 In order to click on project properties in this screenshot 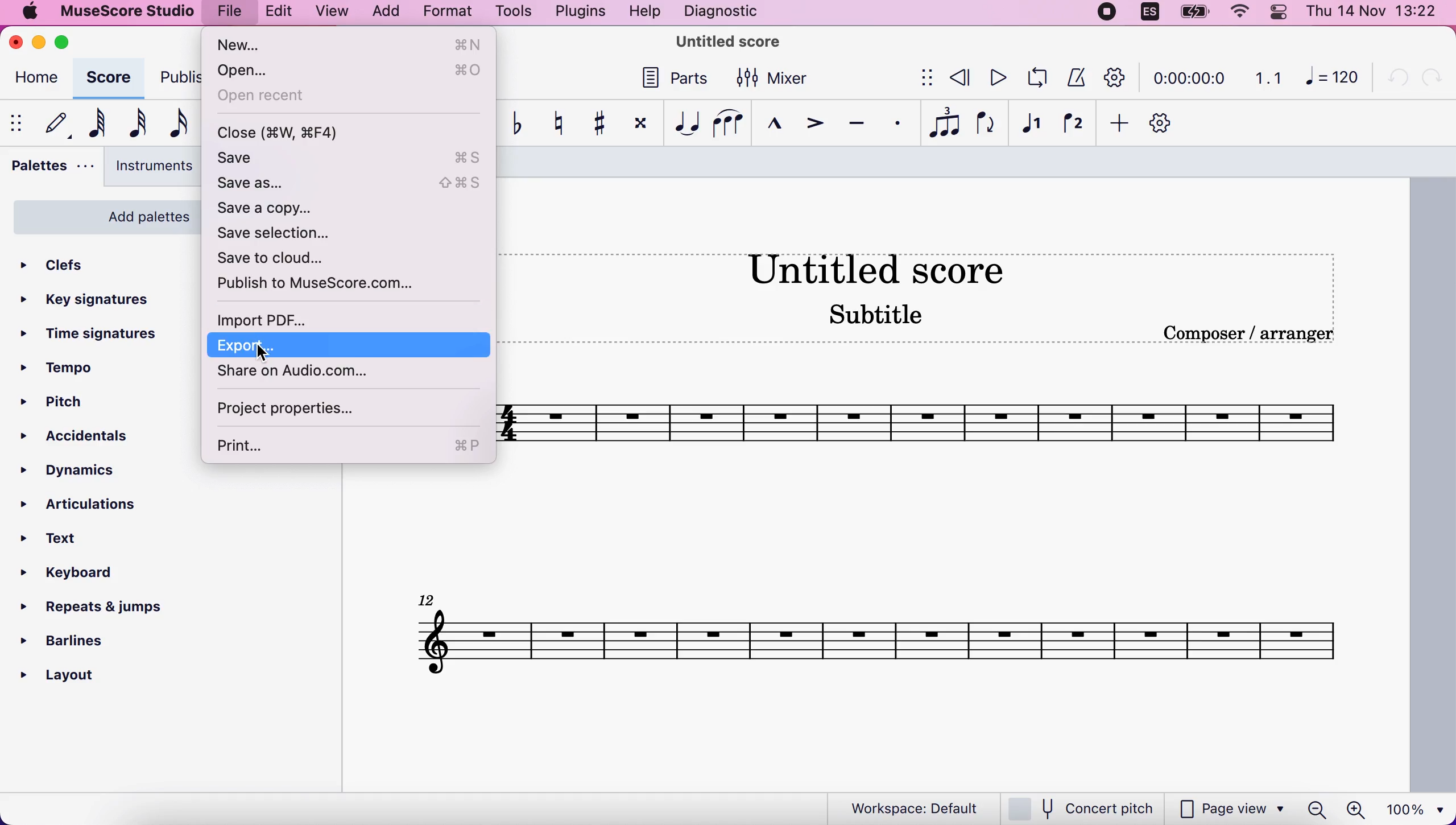, I will do `click(318, 411)`.